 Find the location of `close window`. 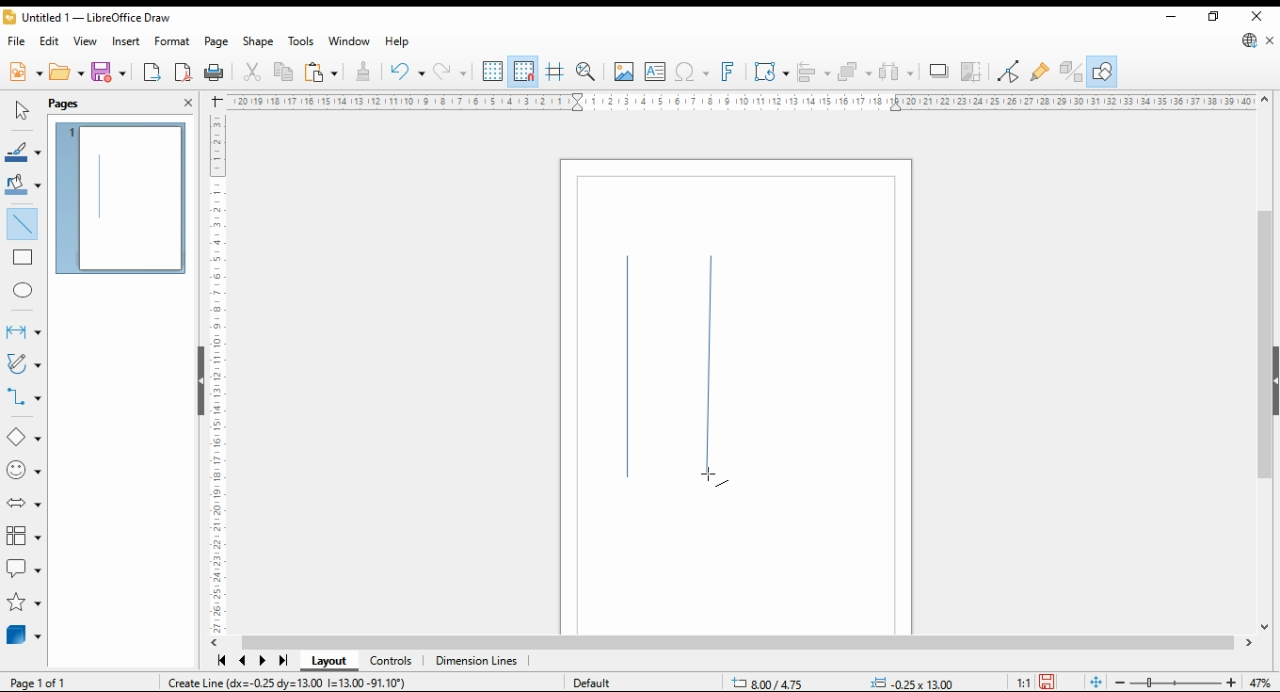

close window is located at coordinates (1254, 17).